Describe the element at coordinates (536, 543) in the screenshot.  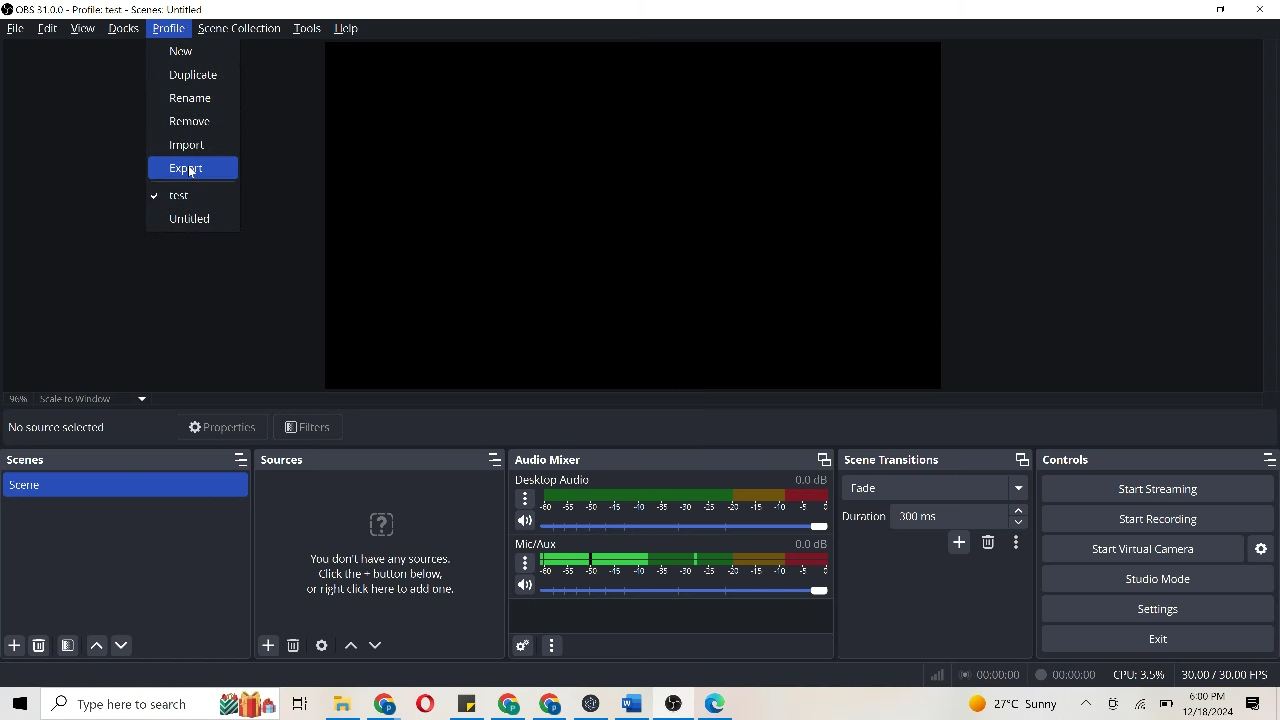
I see `Mic/Aux` at that location.